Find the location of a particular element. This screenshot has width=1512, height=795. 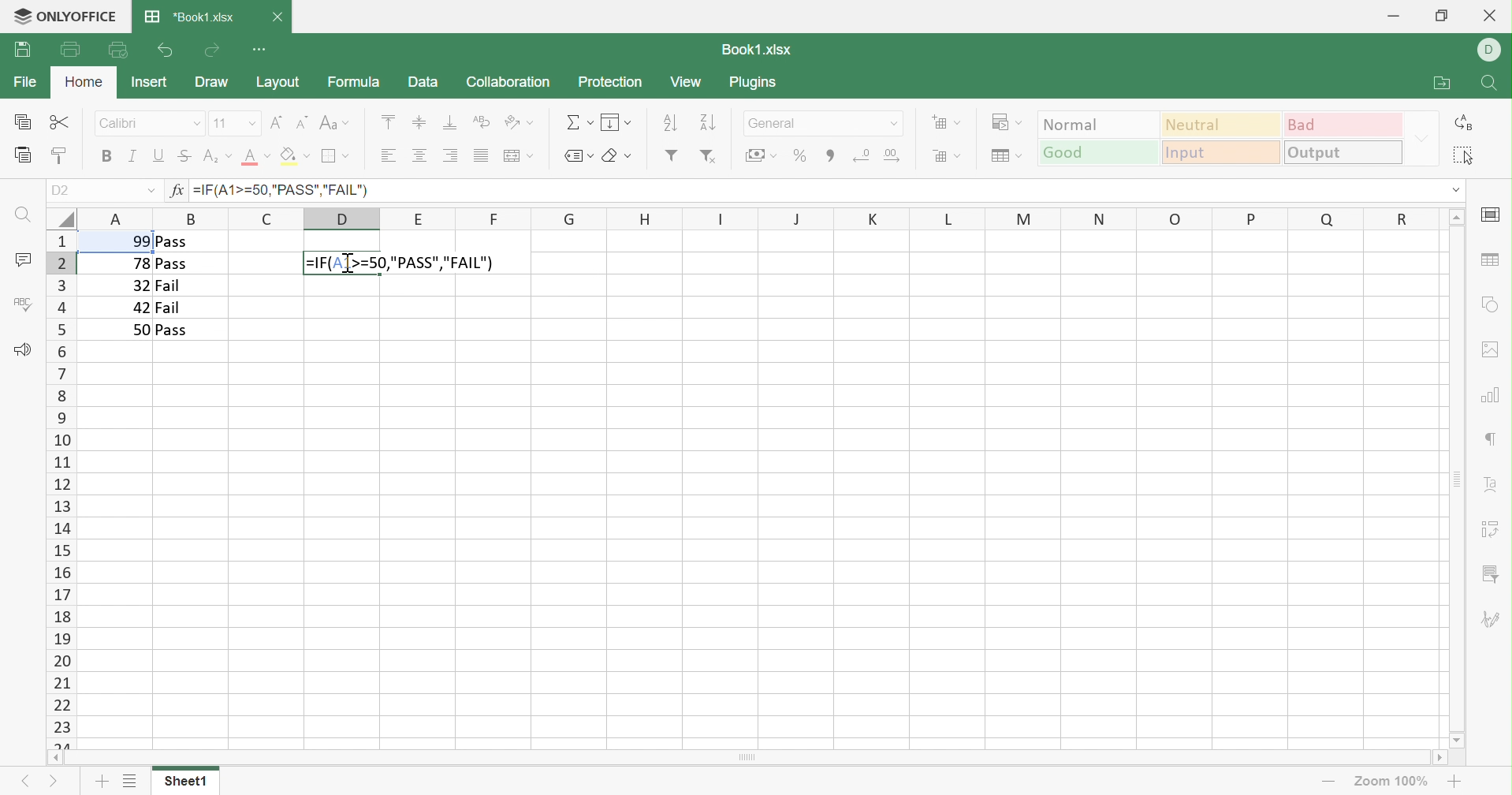

Percent style is located at coordinates (799, 155).